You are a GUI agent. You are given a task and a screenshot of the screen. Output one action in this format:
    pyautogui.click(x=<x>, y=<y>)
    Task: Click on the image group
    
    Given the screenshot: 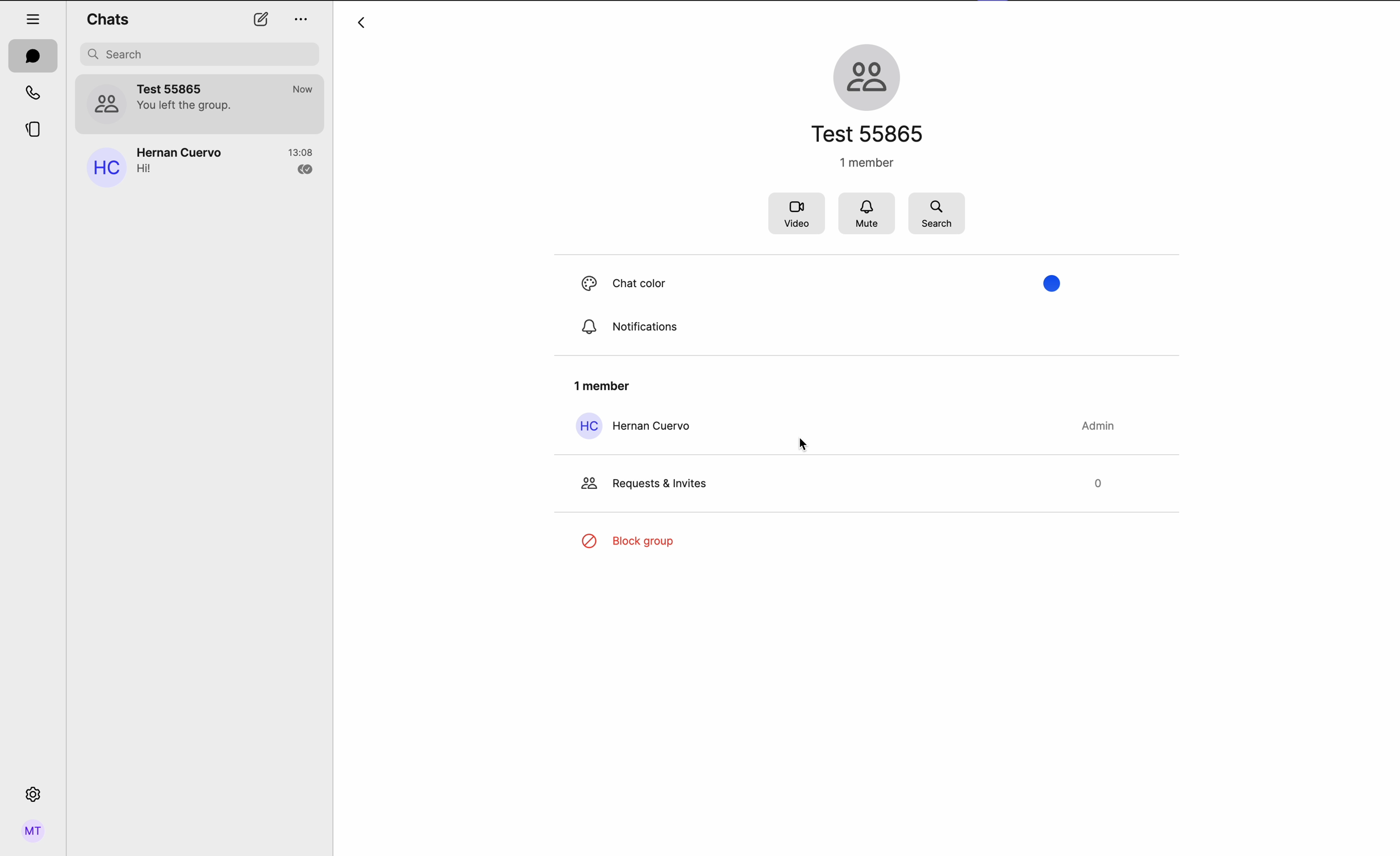 What is the action you would take?
    pyautogui.click(x=870, y=75)
    